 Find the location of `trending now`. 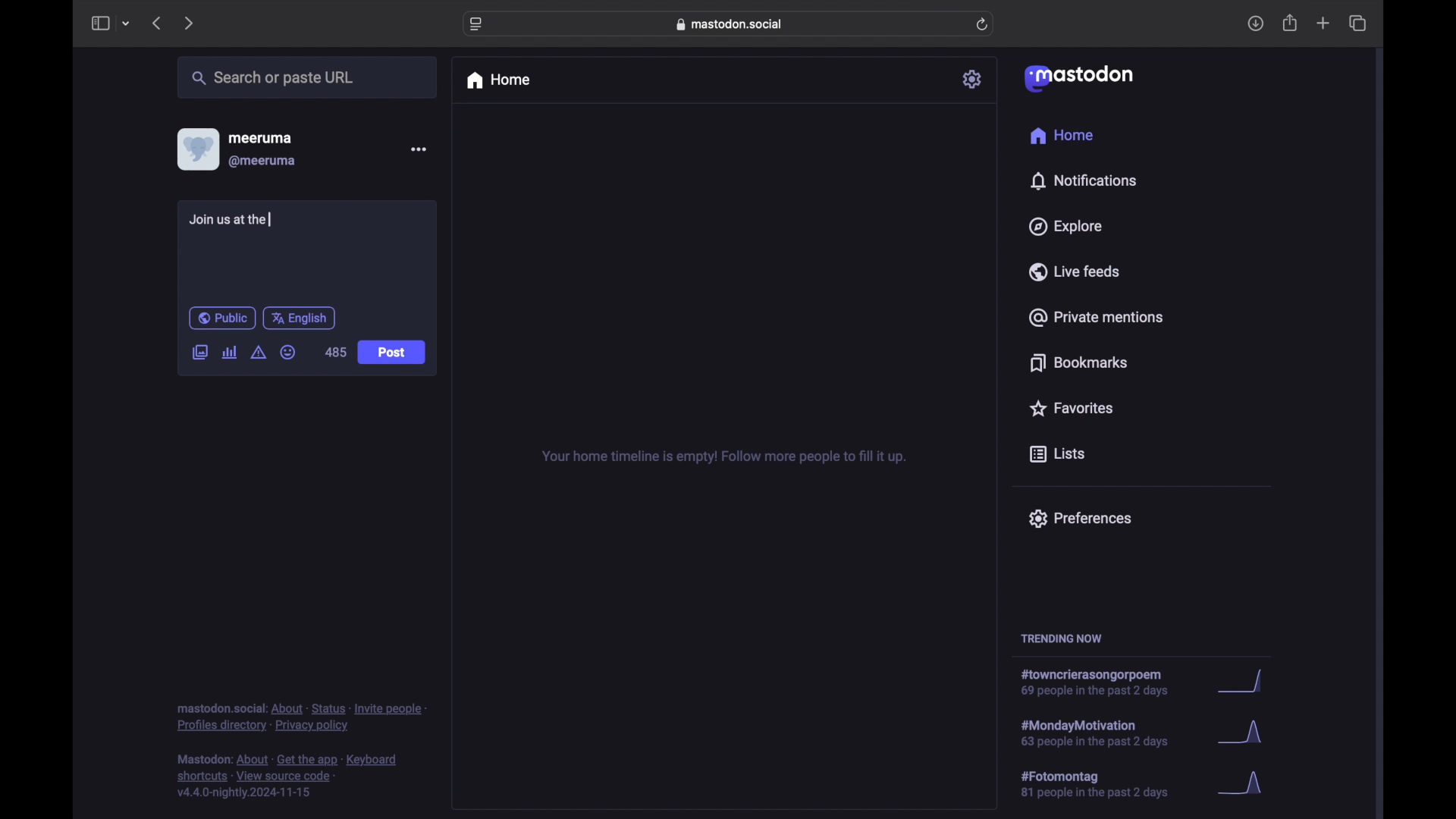

trending now is located at coordinates (1061, 639).